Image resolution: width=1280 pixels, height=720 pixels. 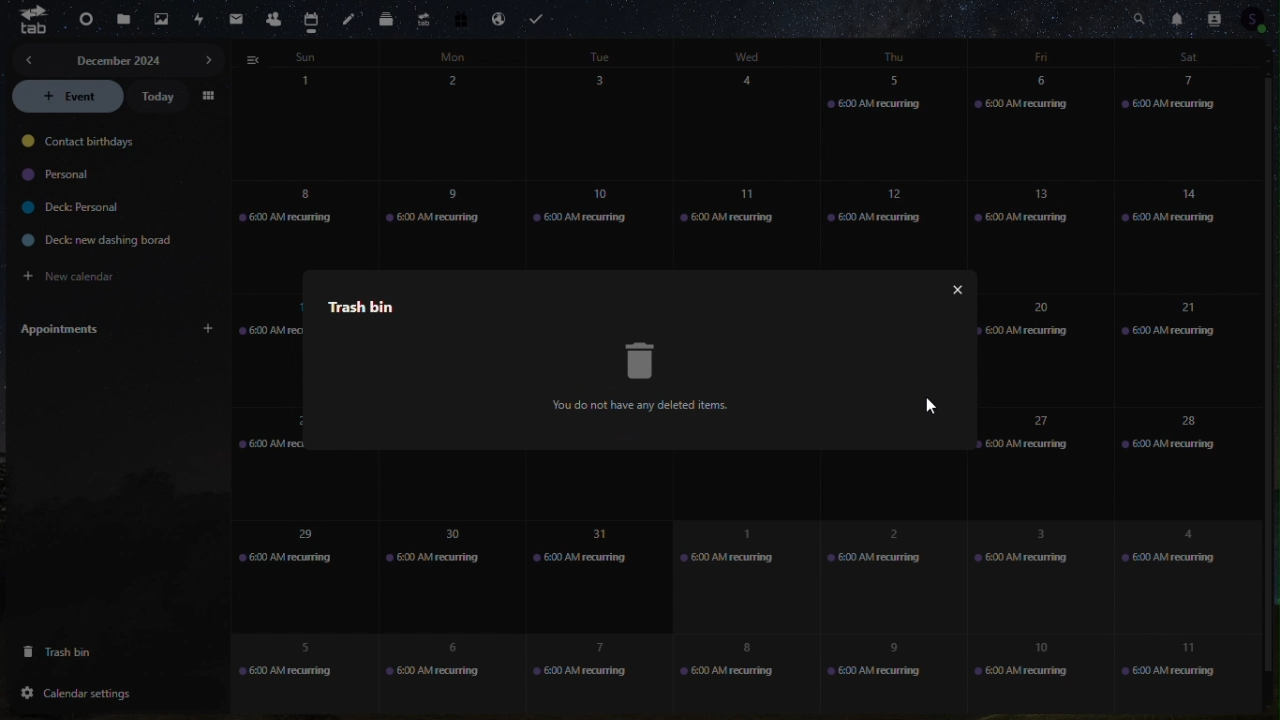 I want to click on mouse pointer, so click(x=930, y=406).